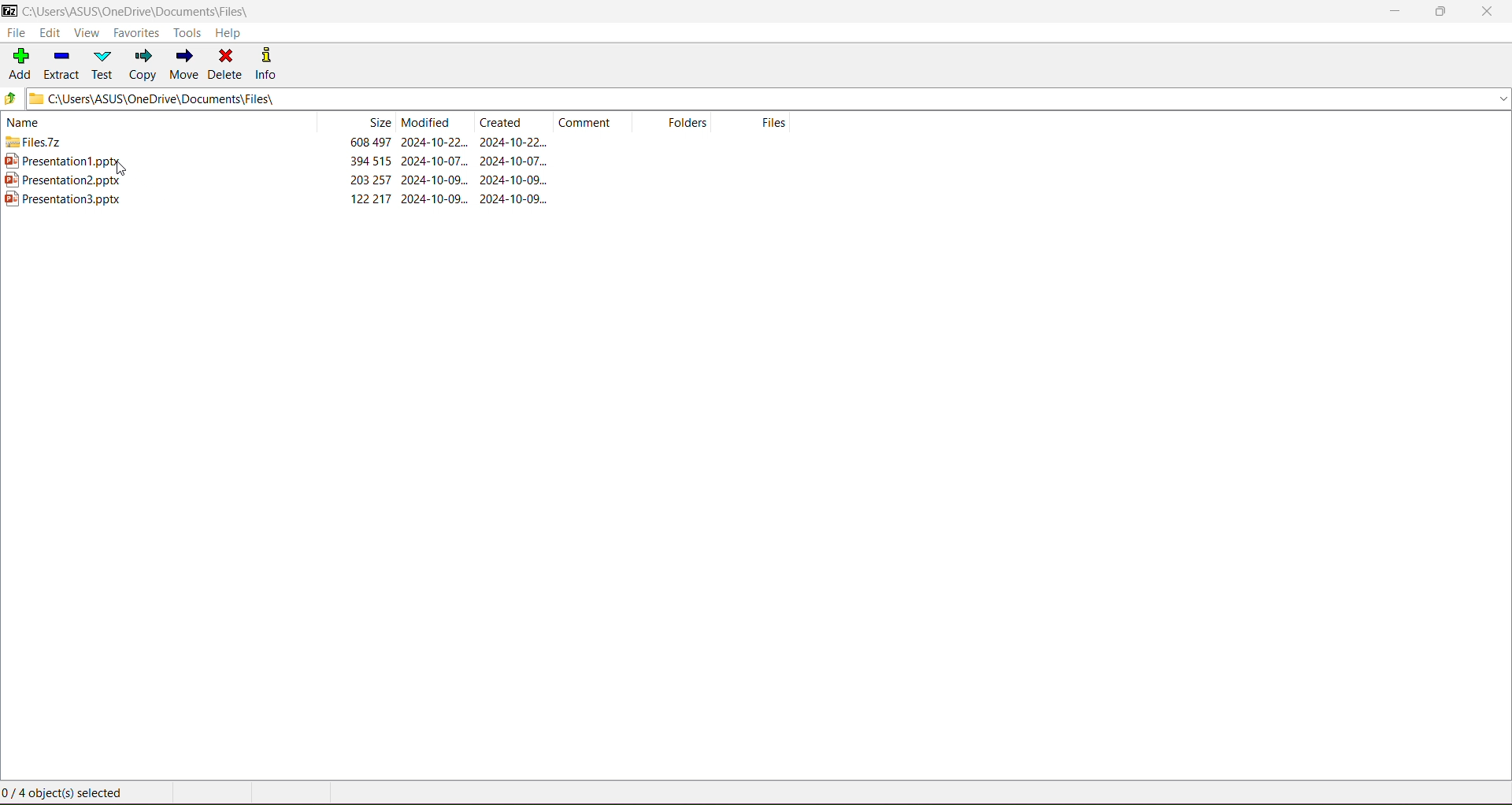 The image size is (1512, 805). Describe the element at coordinates (143, 9) in the screenshot. I see `Folder Path - C:\Users\ASUS\OneDrive\Documents\Files\` at that location.